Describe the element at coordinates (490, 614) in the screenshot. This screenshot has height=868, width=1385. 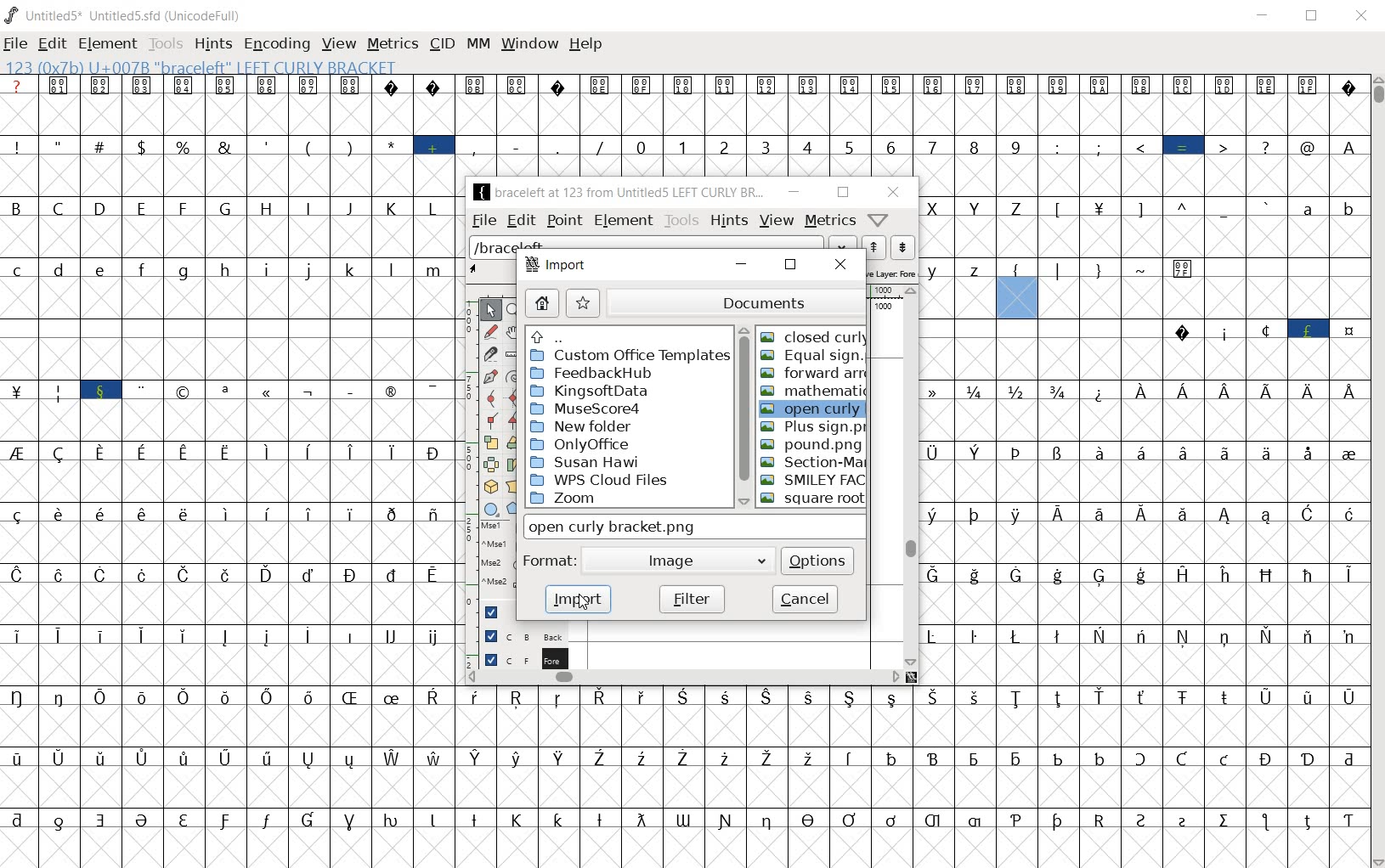
I see `guide` at that location.